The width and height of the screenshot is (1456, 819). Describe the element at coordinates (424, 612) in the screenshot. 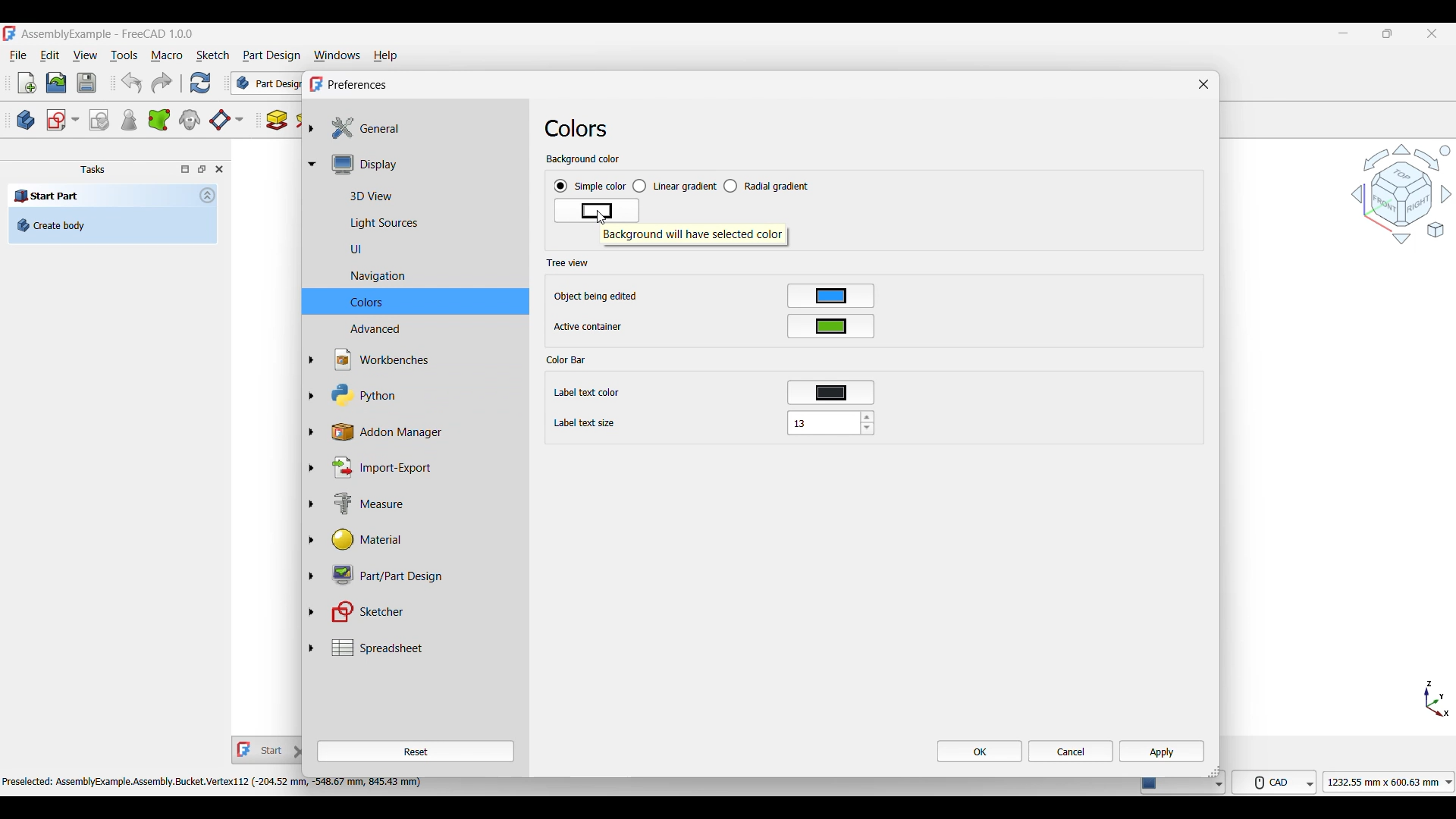

I see `Sketcher` at that location.